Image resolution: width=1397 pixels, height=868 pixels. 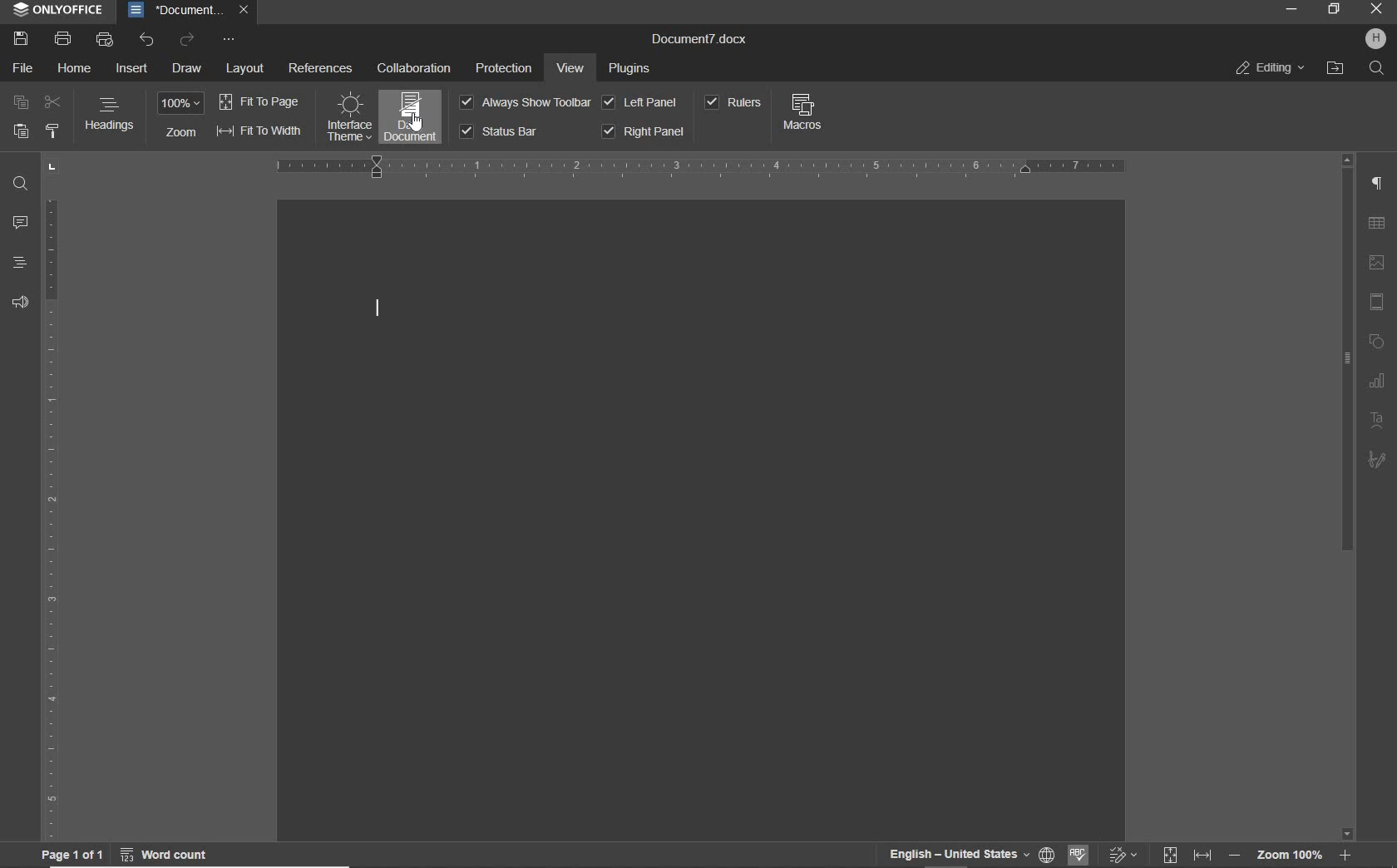 What do you see at coordinates (1294, 856) in the screenshot?
I see `ZOOM OUT OR ZOOM IN` at bounding box center [1294, 856].